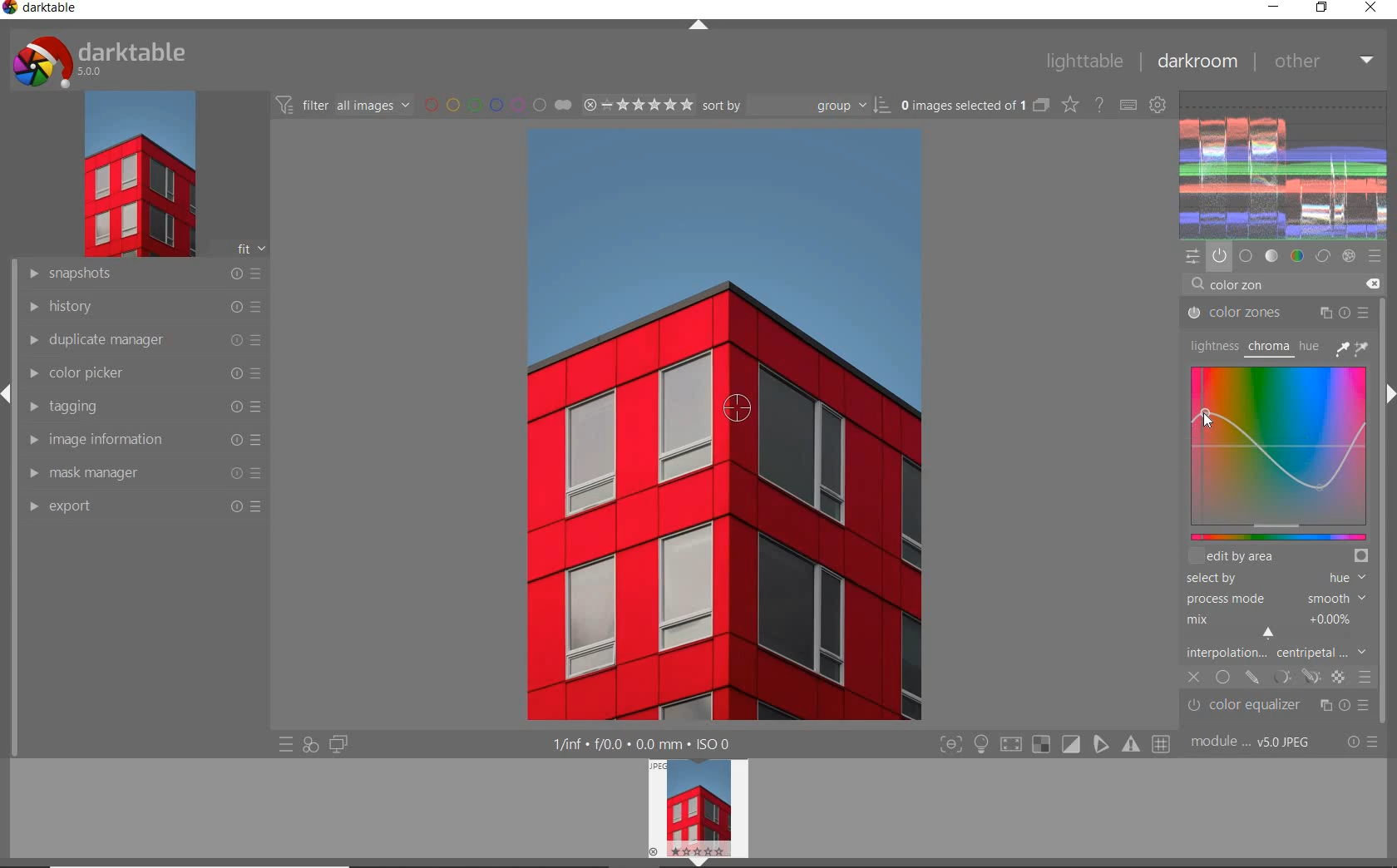 Image resolution: width=1397 pixels, height=868 pixels. What do you see at coordinates (1323, 257) in the screenshot?
I see `correct` at bounding box center [1323, 257].